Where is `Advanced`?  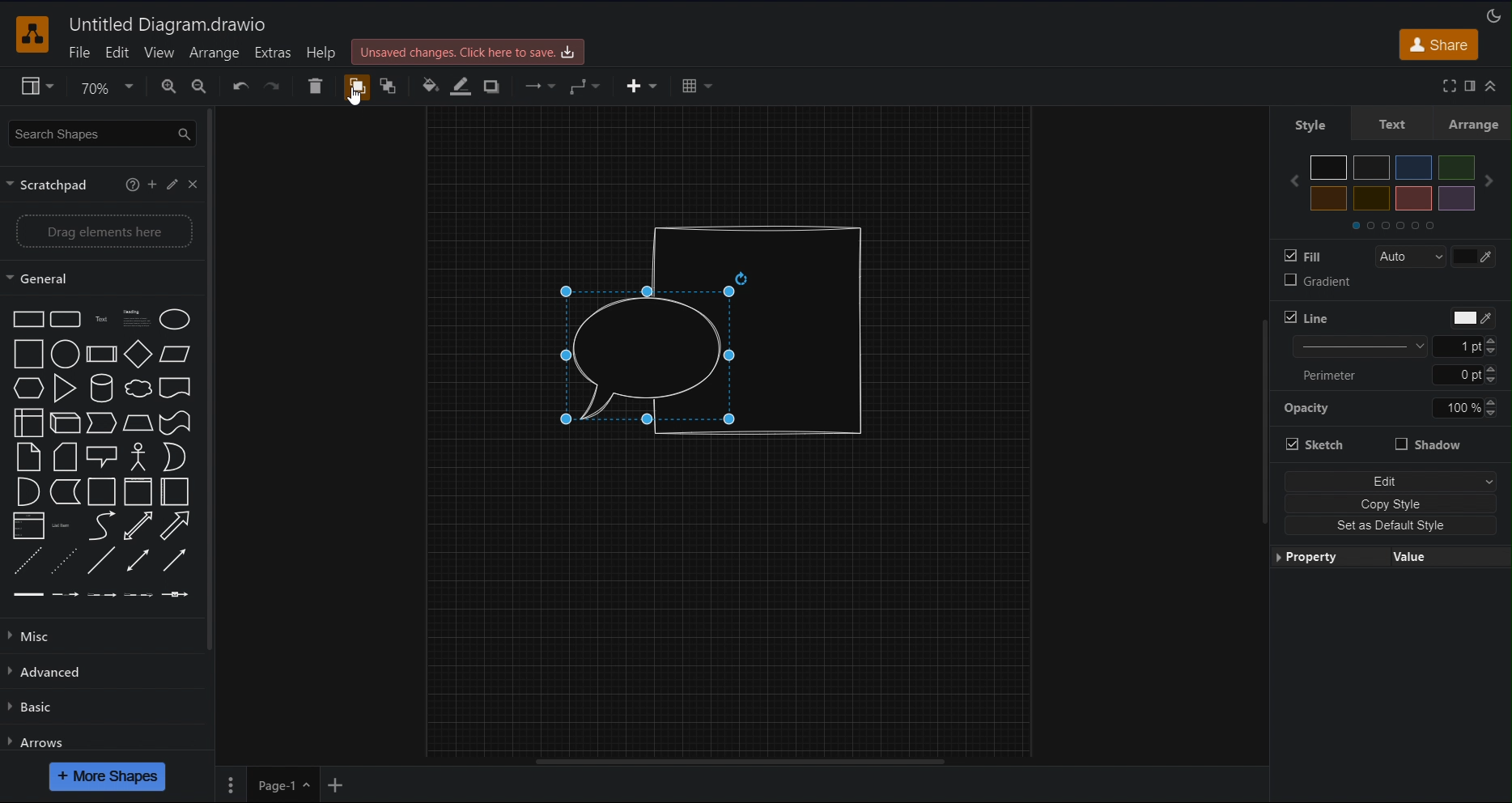 Advanced is located at coordinates (103, 672).